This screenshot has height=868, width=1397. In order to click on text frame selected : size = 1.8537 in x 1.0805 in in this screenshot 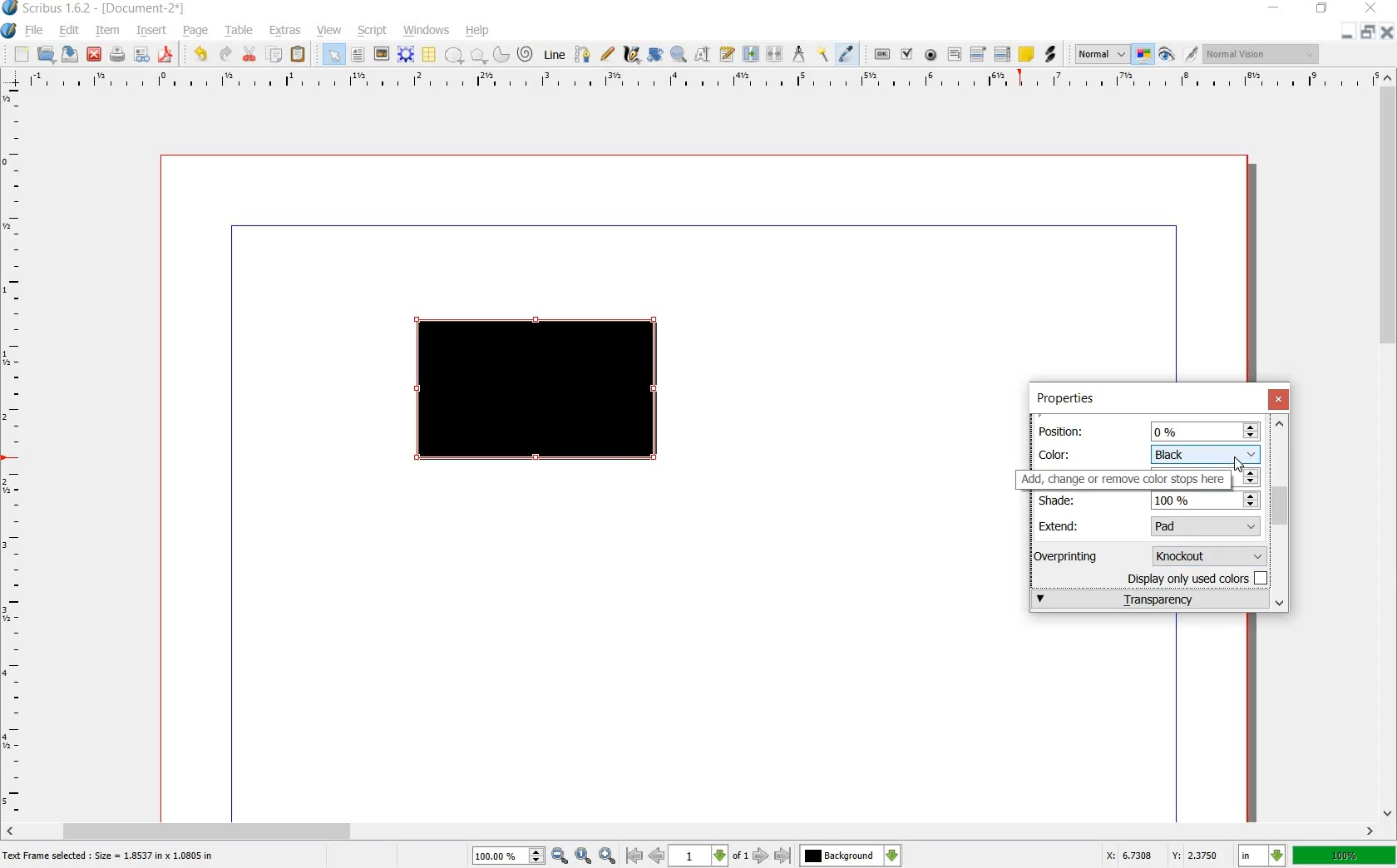, I will do `click(111, 857)`.